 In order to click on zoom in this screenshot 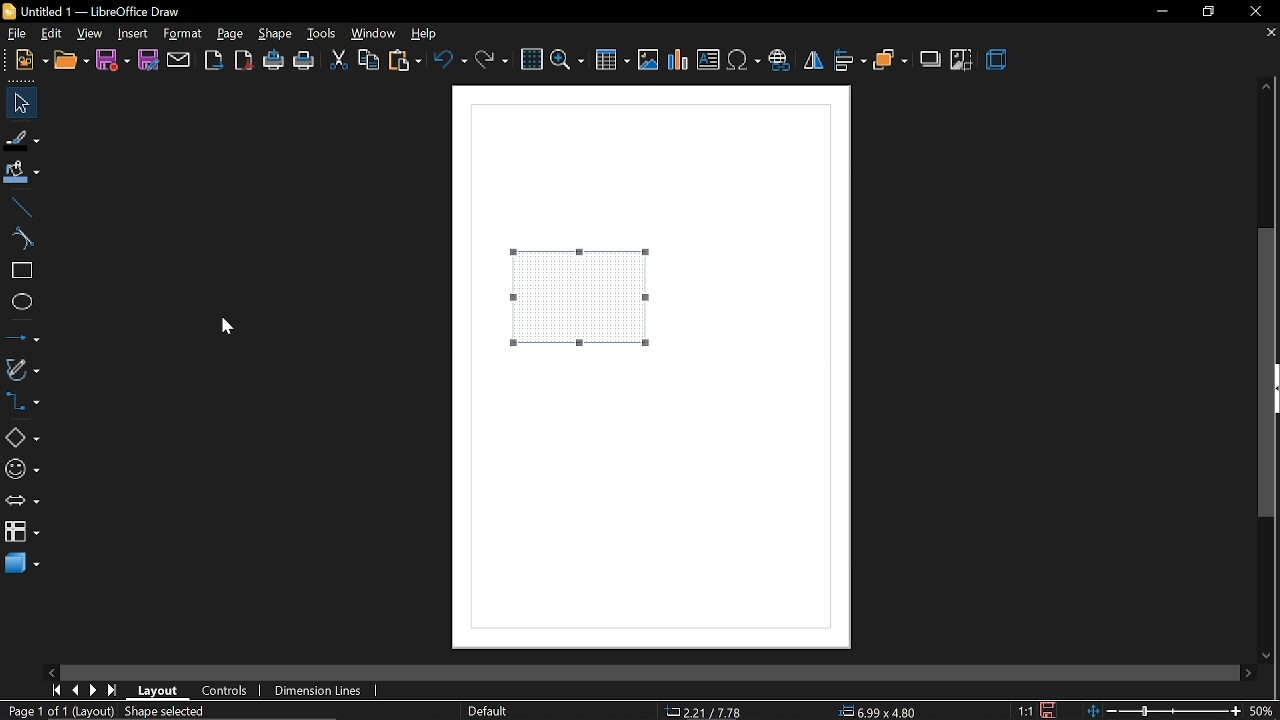, I will do `click(567, 60)`.